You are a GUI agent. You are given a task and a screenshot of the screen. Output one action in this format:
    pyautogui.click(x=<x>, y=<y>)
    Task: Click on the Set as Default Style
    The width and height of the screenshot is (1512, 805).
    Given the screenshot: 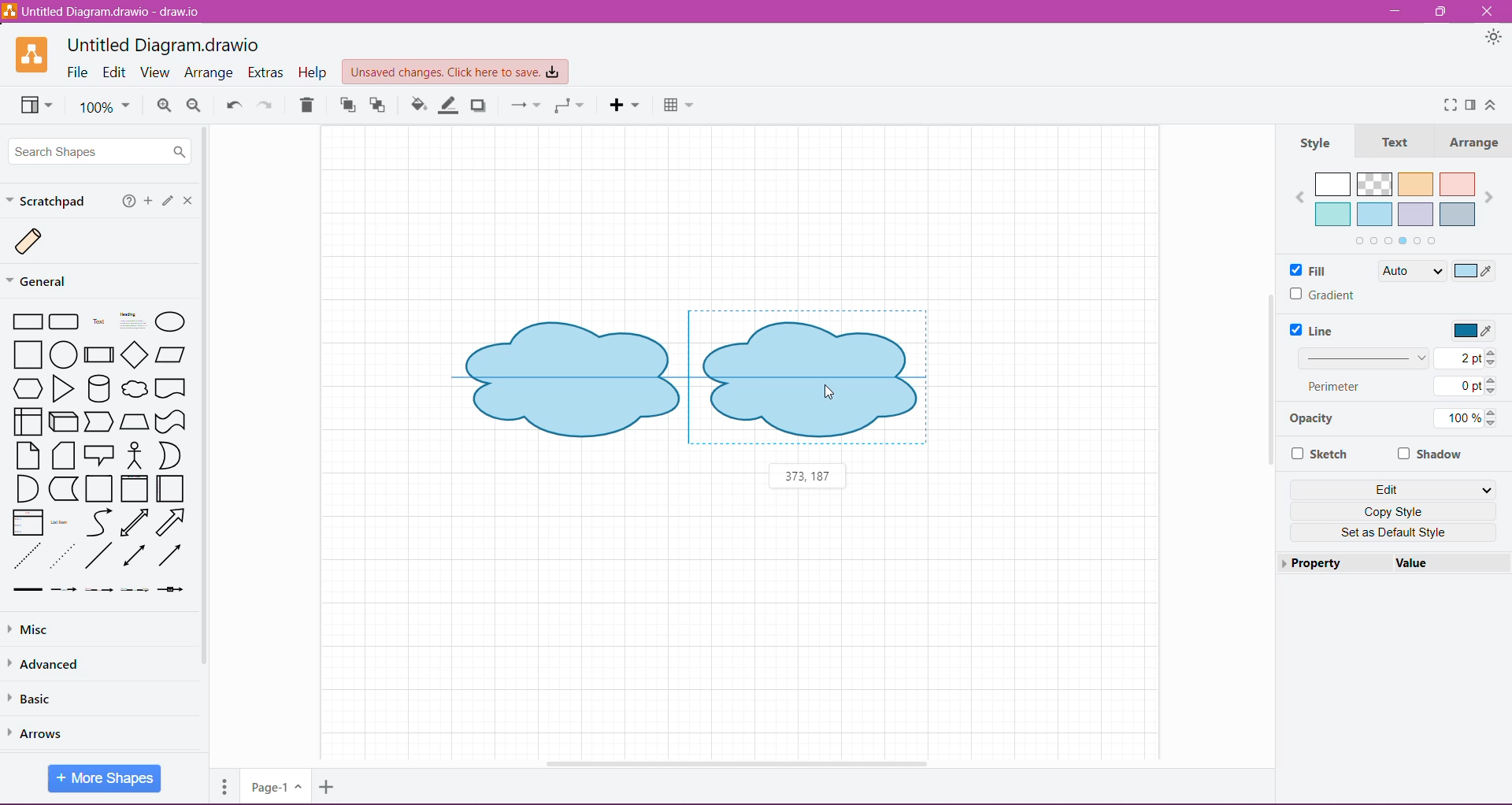 What is the action you would take?
    pyautogui.click(x=1395, y=532)
    